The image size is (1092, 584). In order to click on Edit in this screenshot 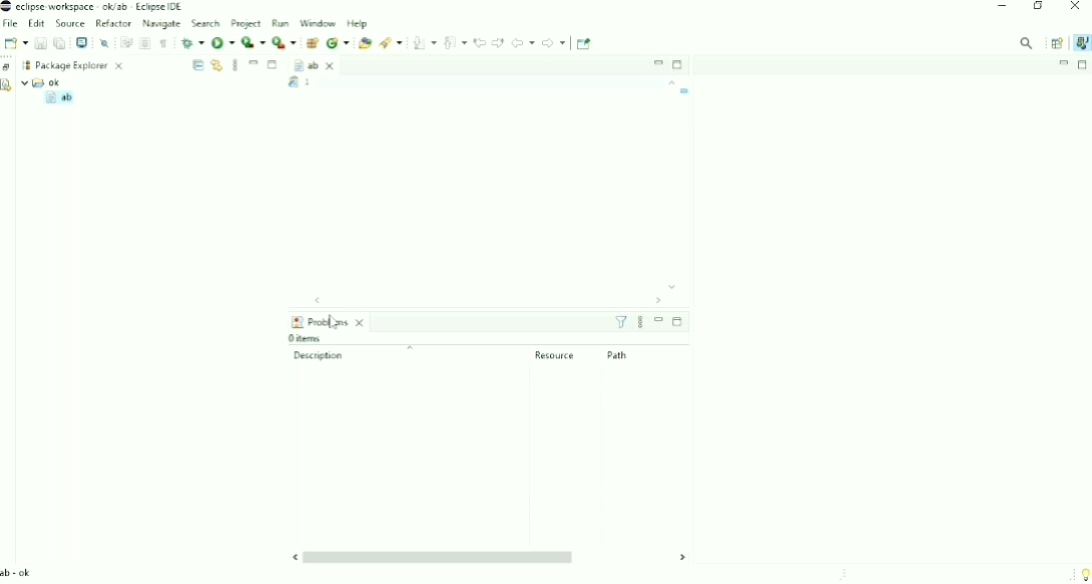, I will do `click(36, 23)`.